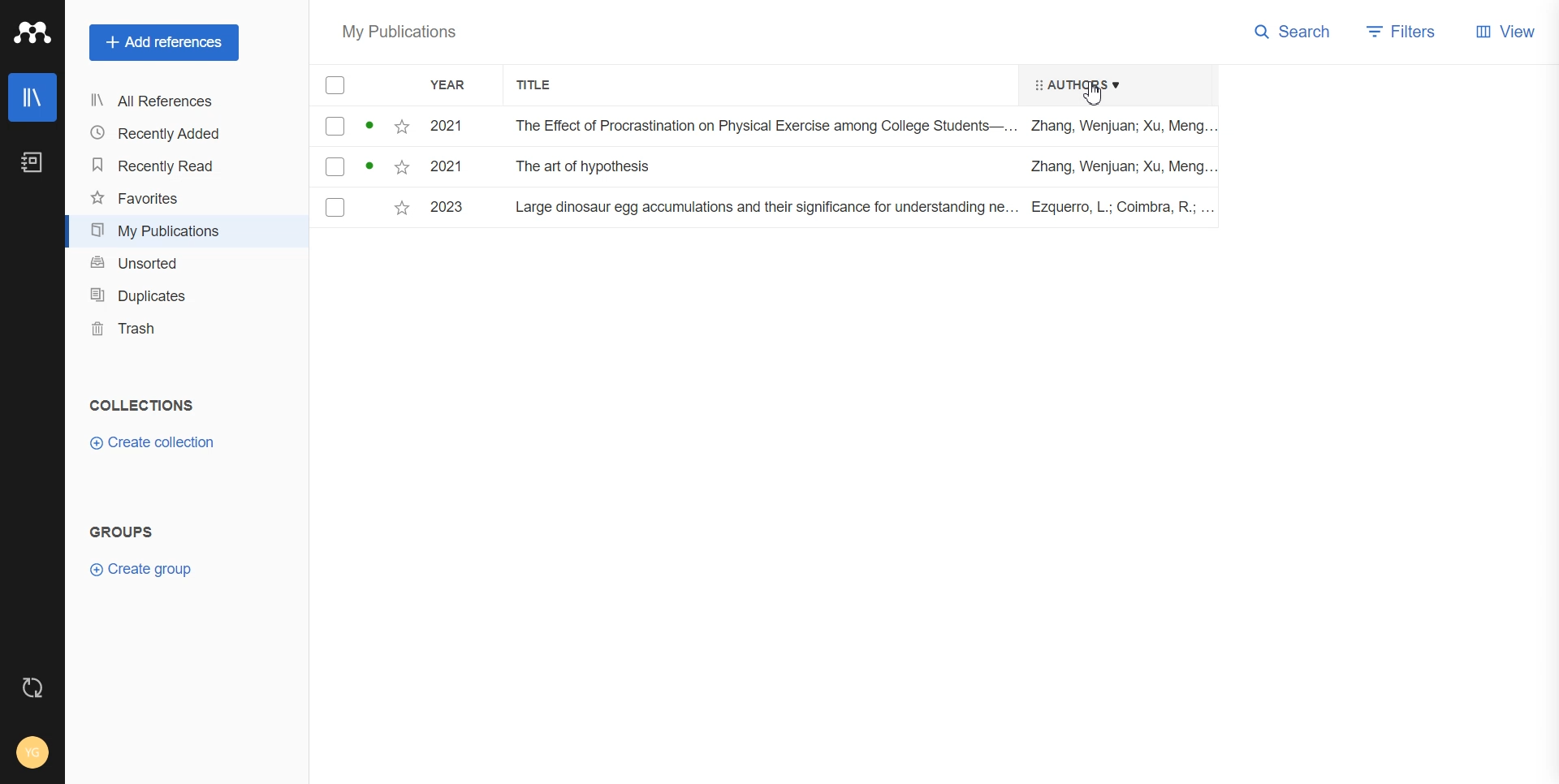 The image size is (1559, 784). What do you see at coordinates (164, 43) in the screenshot?
I see `Add references` at bounding box center [164, 43].